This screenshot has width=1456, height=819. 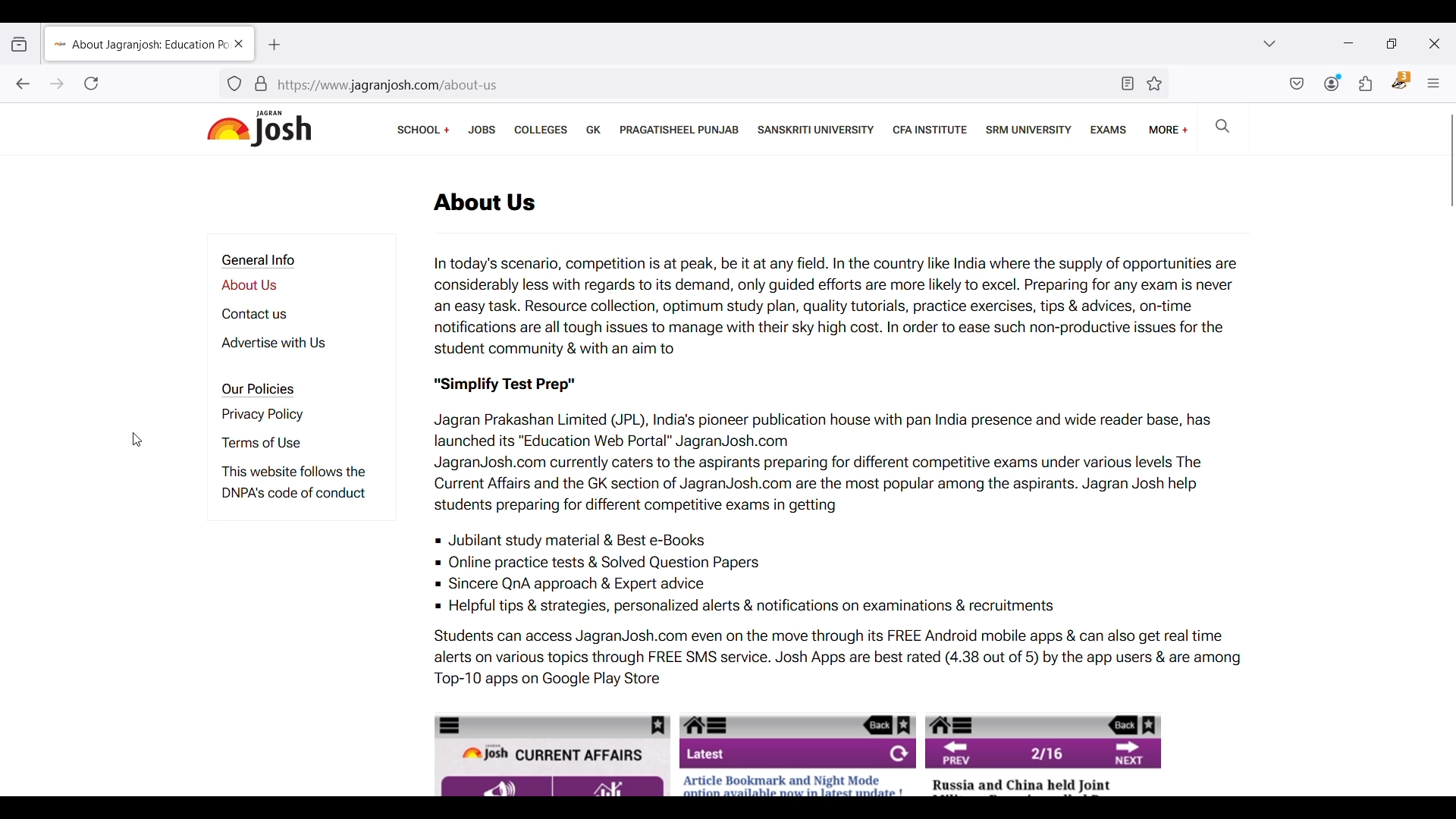 What do you see at coordinates (293, 345) in the screenshot?
I see `Advertise with us page` at bounding box center [293, 345].